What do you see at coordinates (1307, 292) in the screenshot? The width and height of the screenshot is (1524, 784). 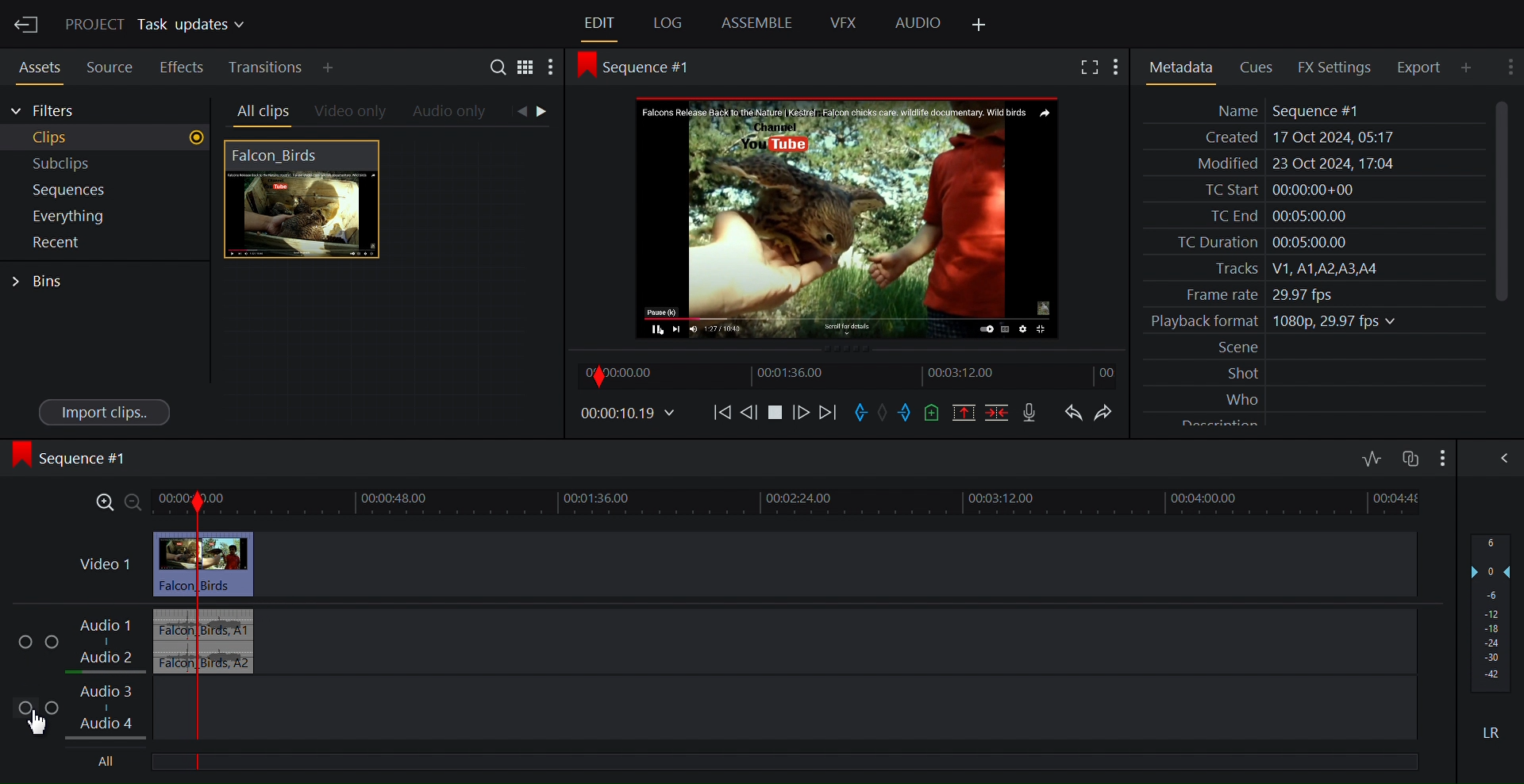 I see `Frame rate` at bounding box center [1307, 292].